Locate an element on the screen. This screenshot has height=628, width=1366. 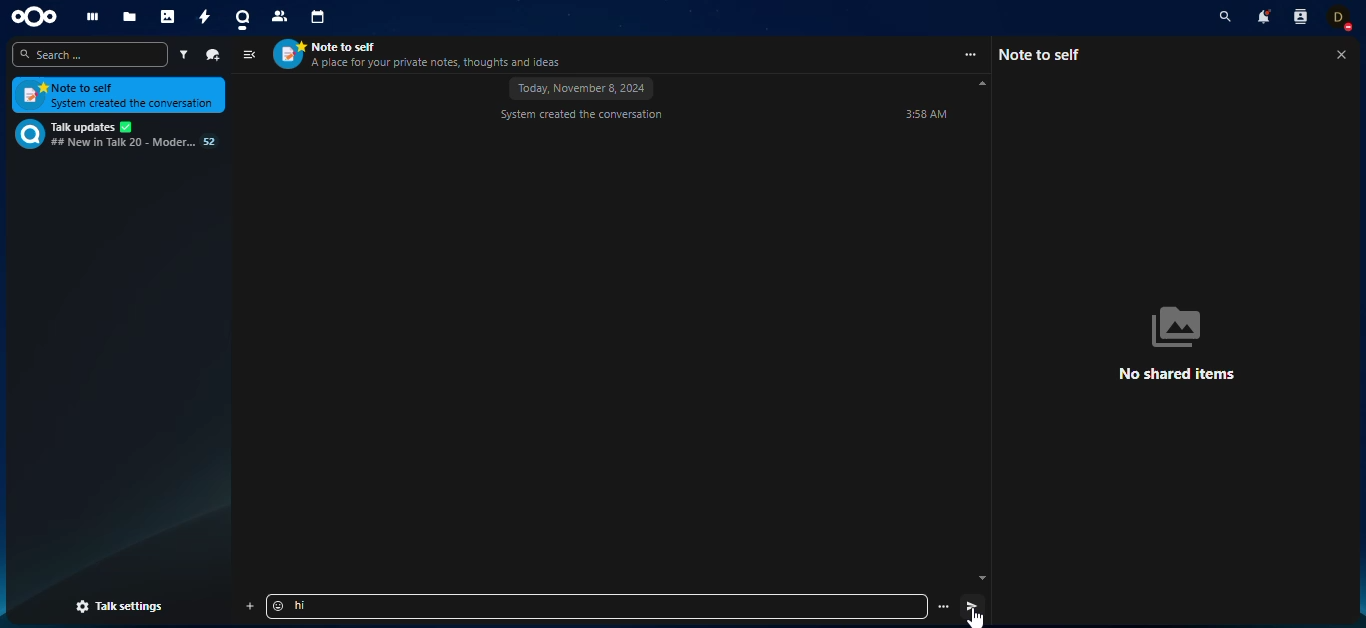
talk settings is located at coordinates (120, 607).